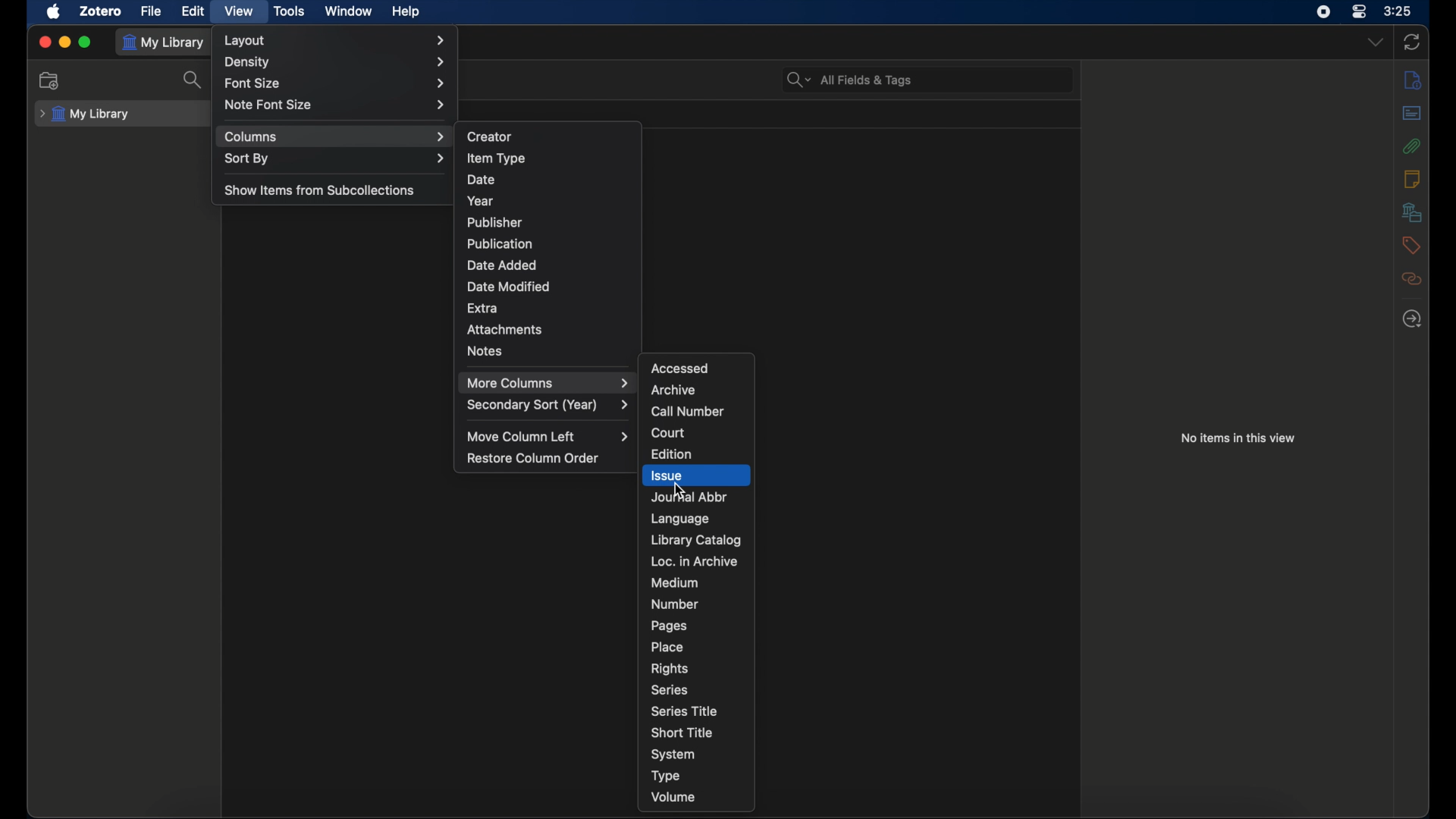 This screenshot has height=819, width=1456. What do you see at coordinates (490, 137) in the screenshot?
I see `creator` at bounding box center [490, 137].